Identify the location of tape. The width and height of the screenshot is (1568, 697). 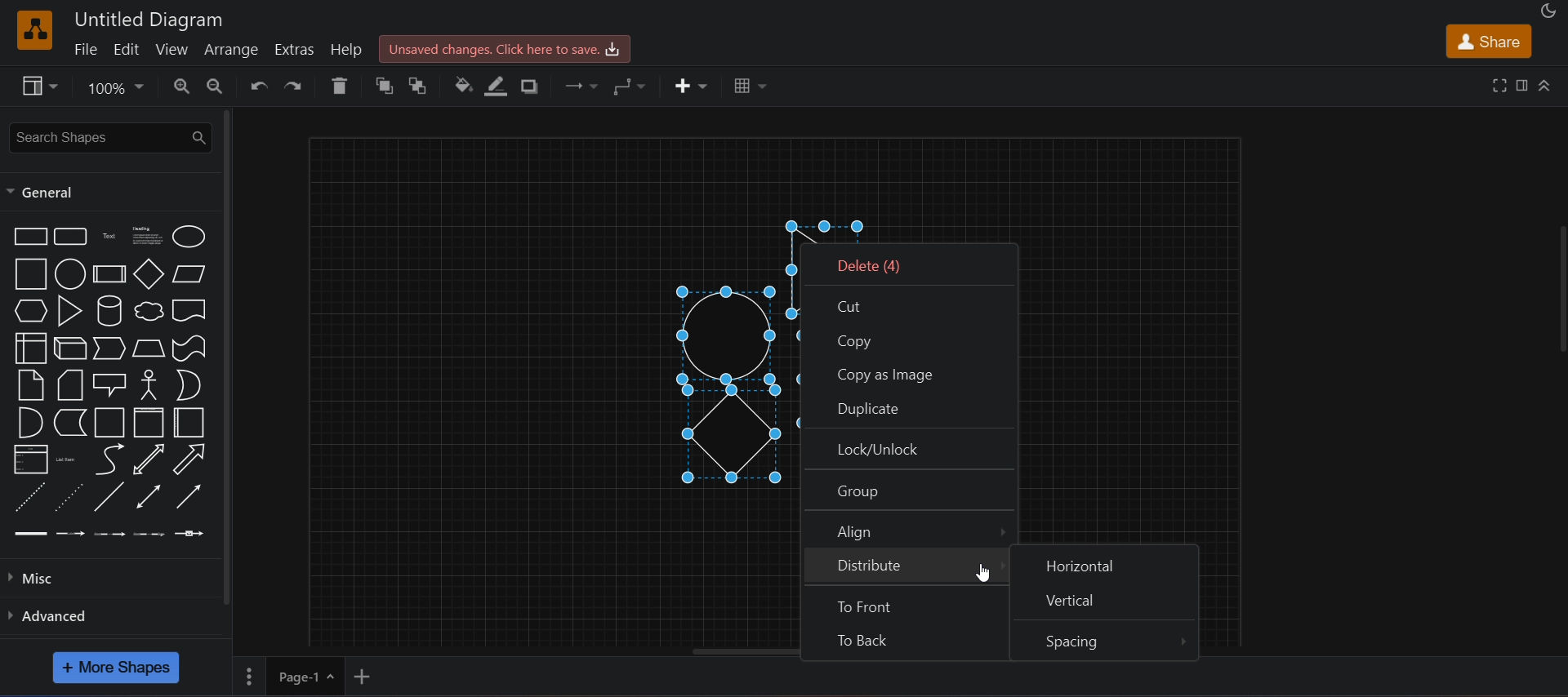
(189, 348).